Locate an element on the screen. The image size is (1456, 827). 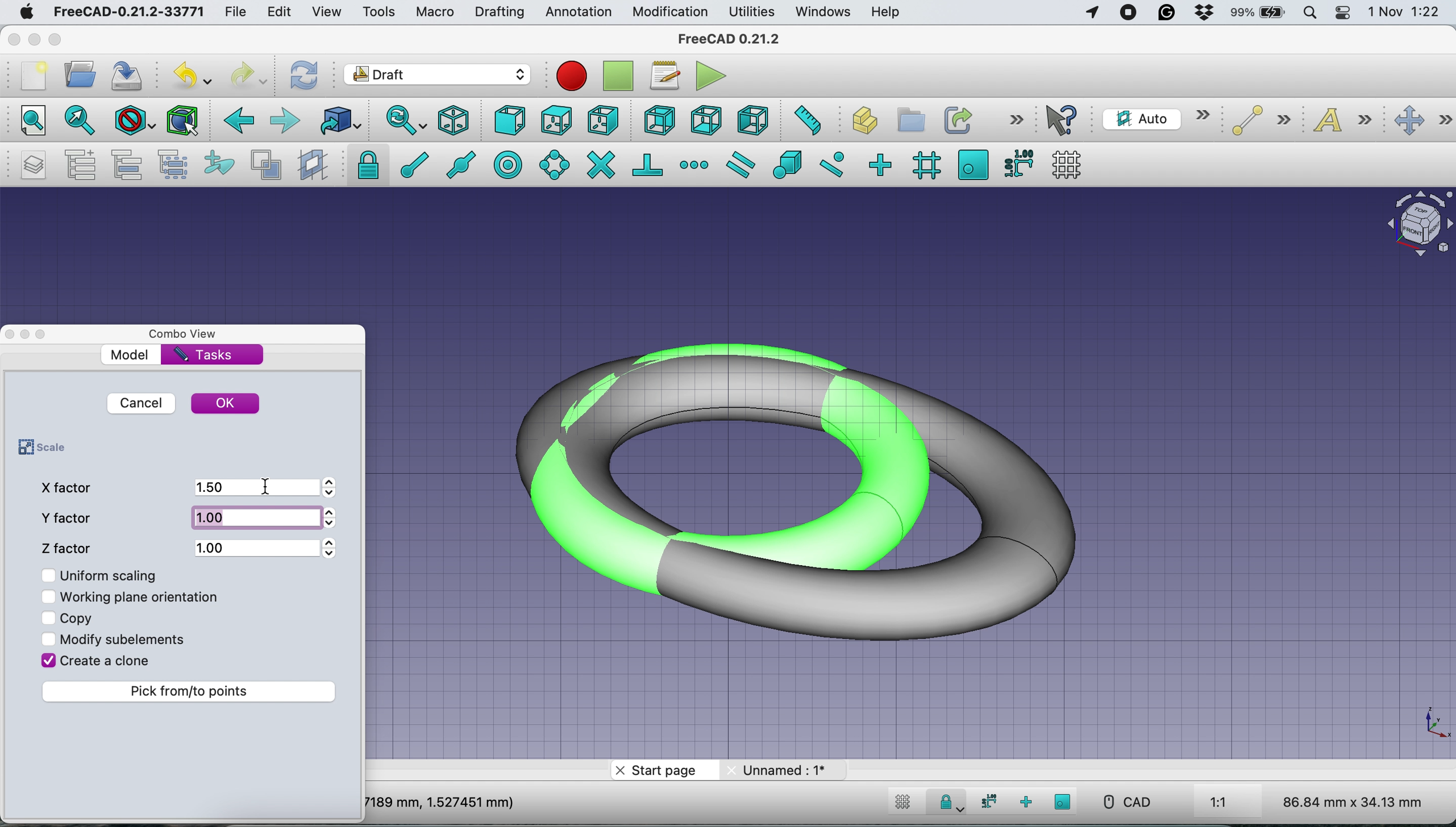
CAD is located at coordinates (1121, 802).